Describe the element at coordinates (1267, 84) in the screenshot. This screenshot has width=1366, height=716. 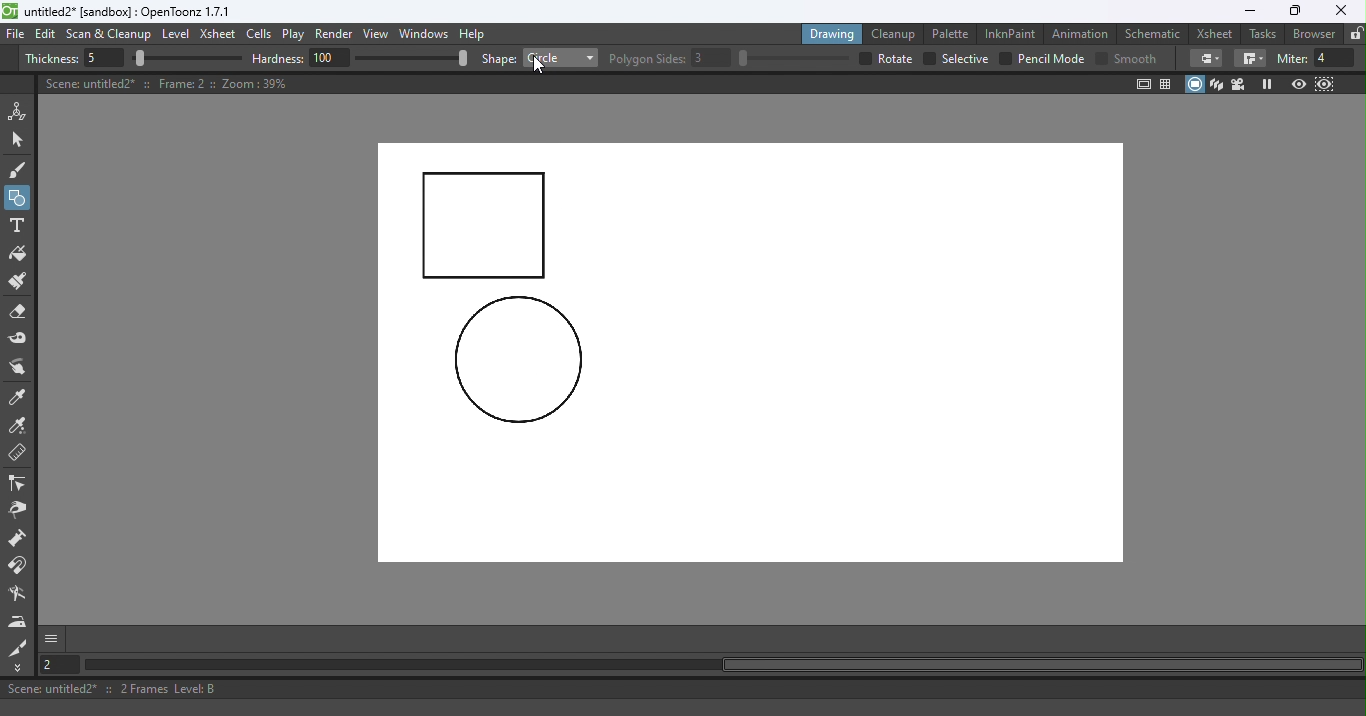
I see `Freeze` at that location.